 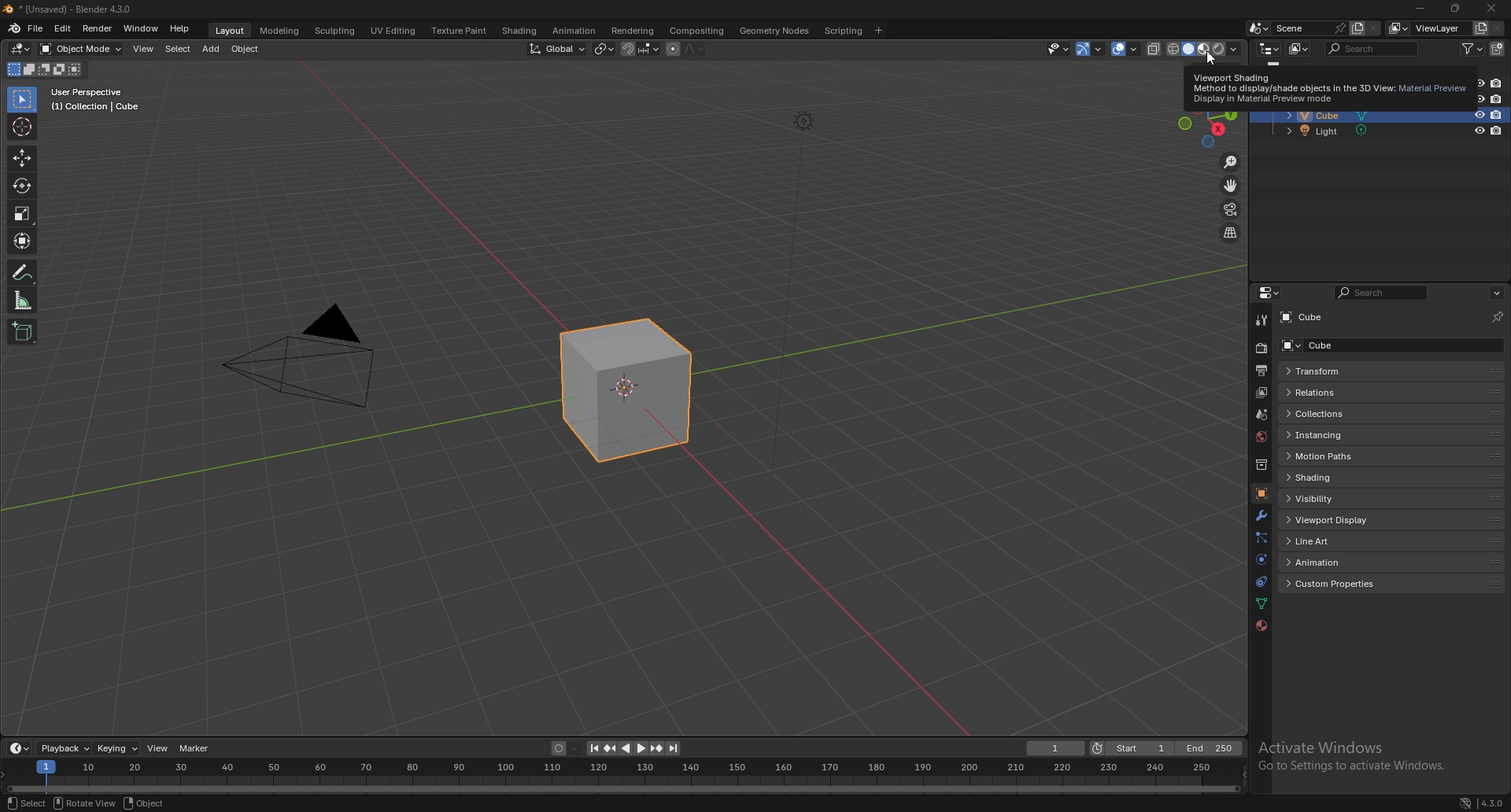 What do you see at coordinates (21, 127) in the screenshot?
I see `cursor` at bounding box center [21, 127].